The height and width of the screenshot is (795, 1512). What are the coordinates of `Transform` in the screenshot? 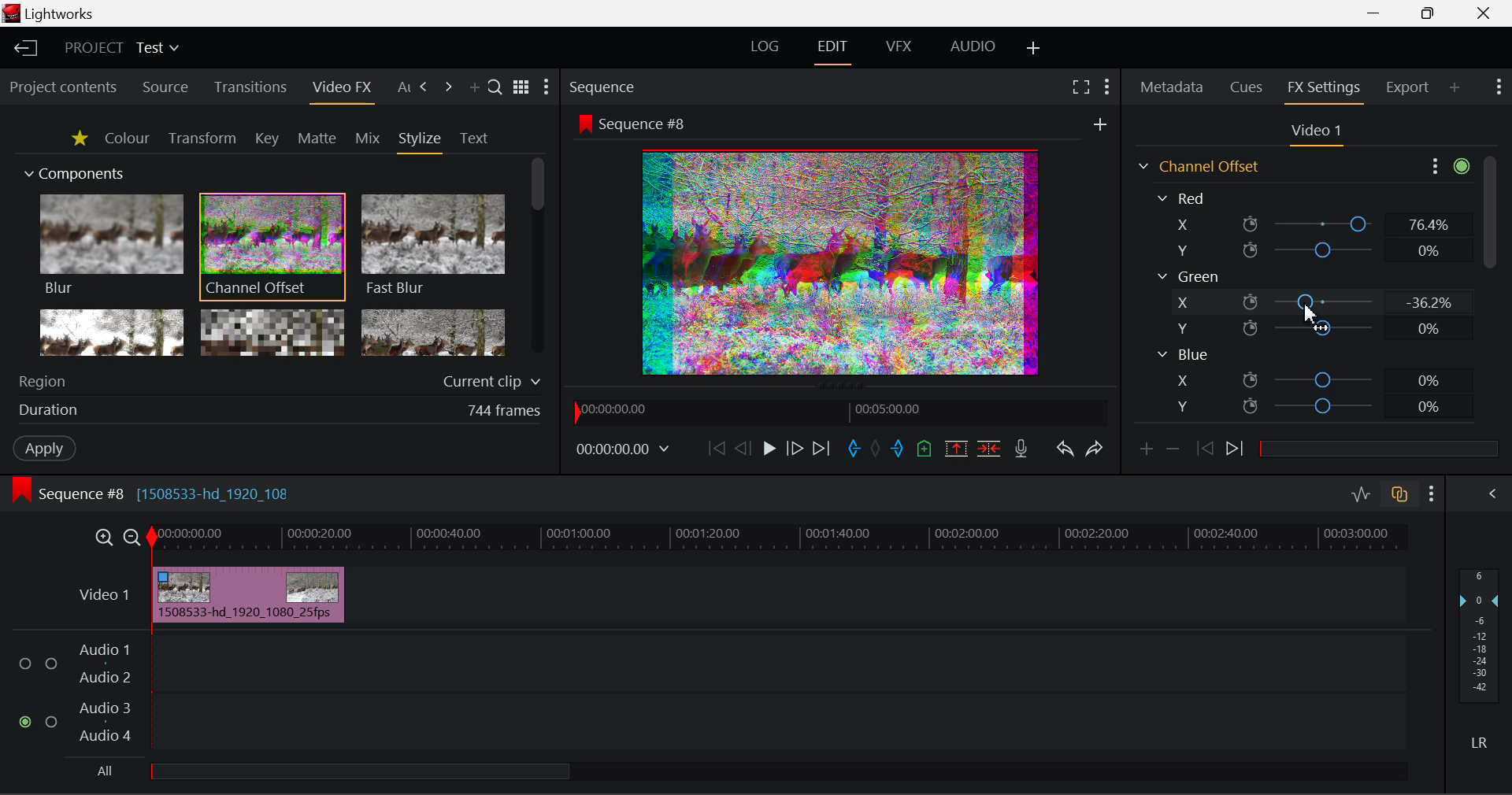 It's located at (202, 139).